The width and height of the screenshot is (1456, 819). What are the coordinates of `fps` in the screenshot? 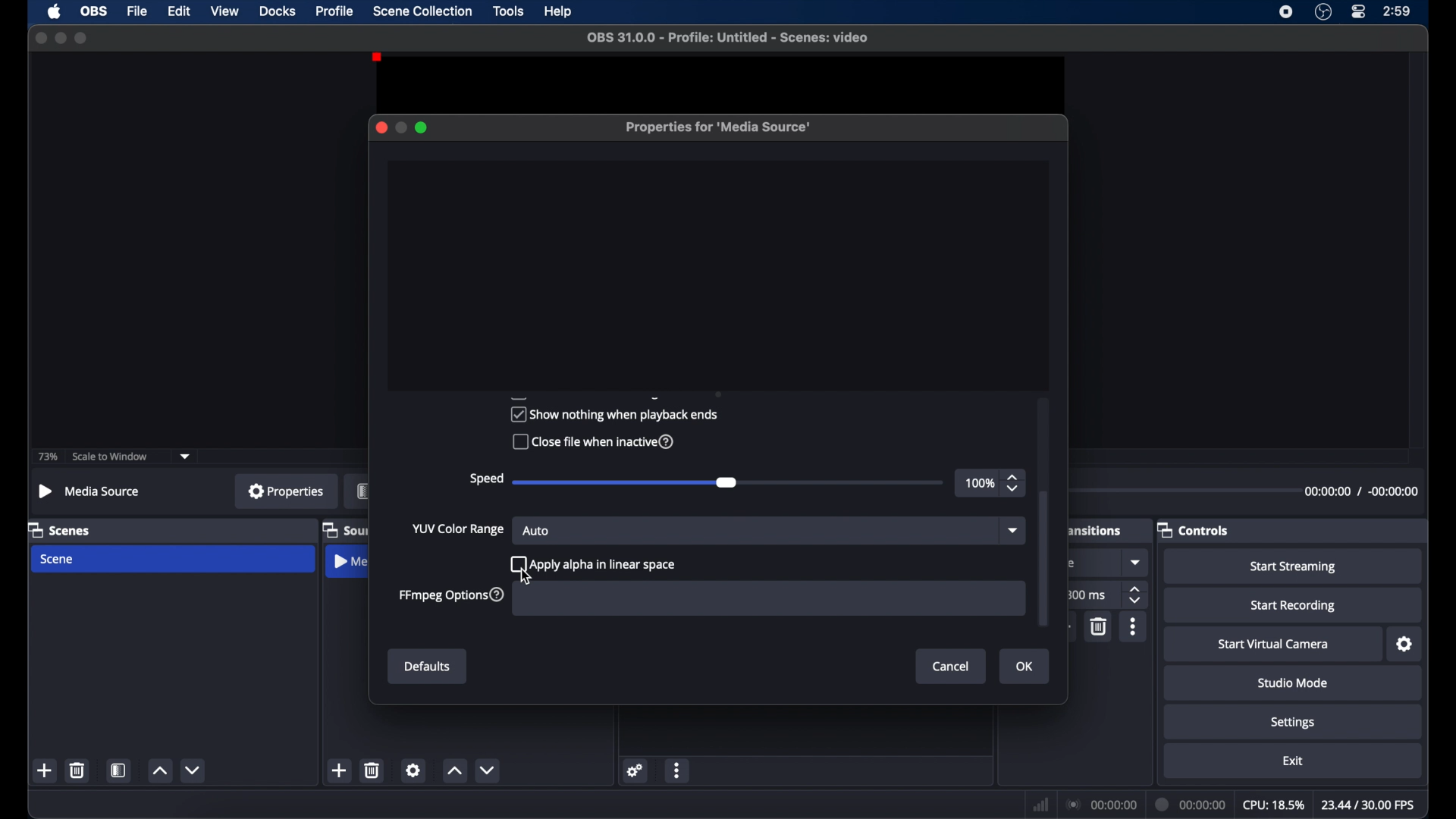 It's located at (1369, 805).